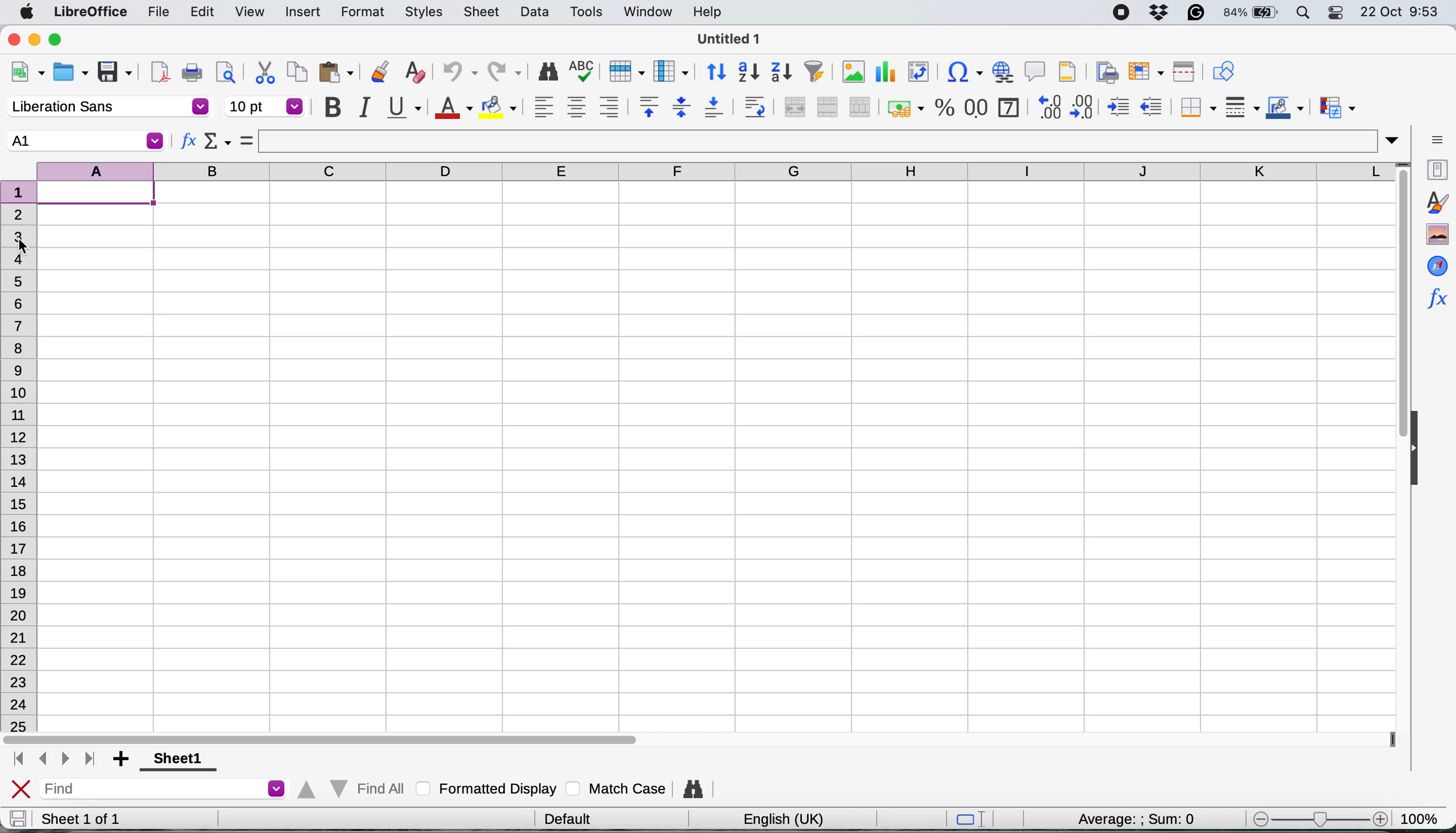 The height and width of the screenshot is (833, 1456). I want to click on insert chart, so click(884, 74).